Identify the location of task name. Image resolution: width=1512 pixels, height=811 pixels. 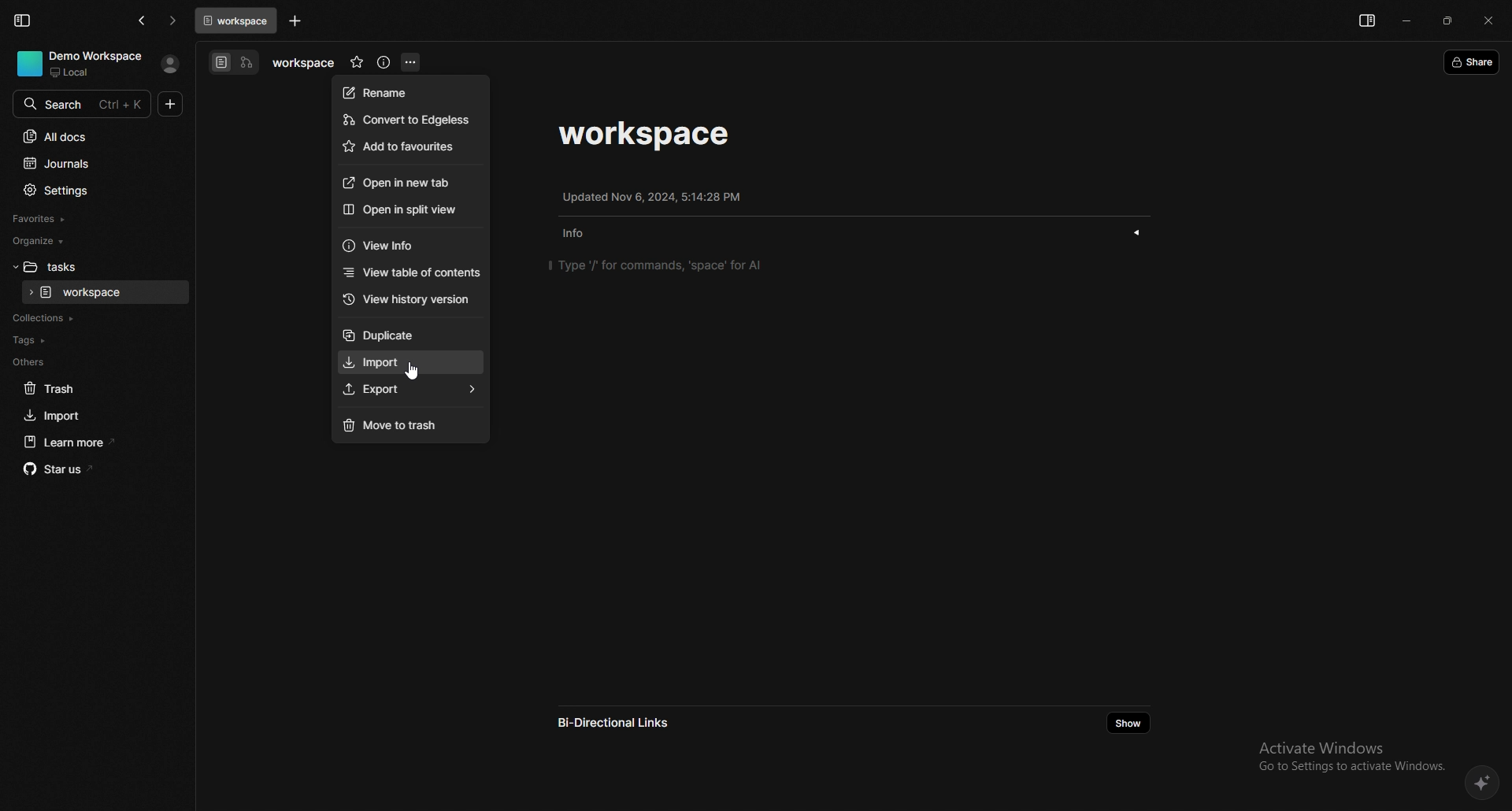
(302, 64).